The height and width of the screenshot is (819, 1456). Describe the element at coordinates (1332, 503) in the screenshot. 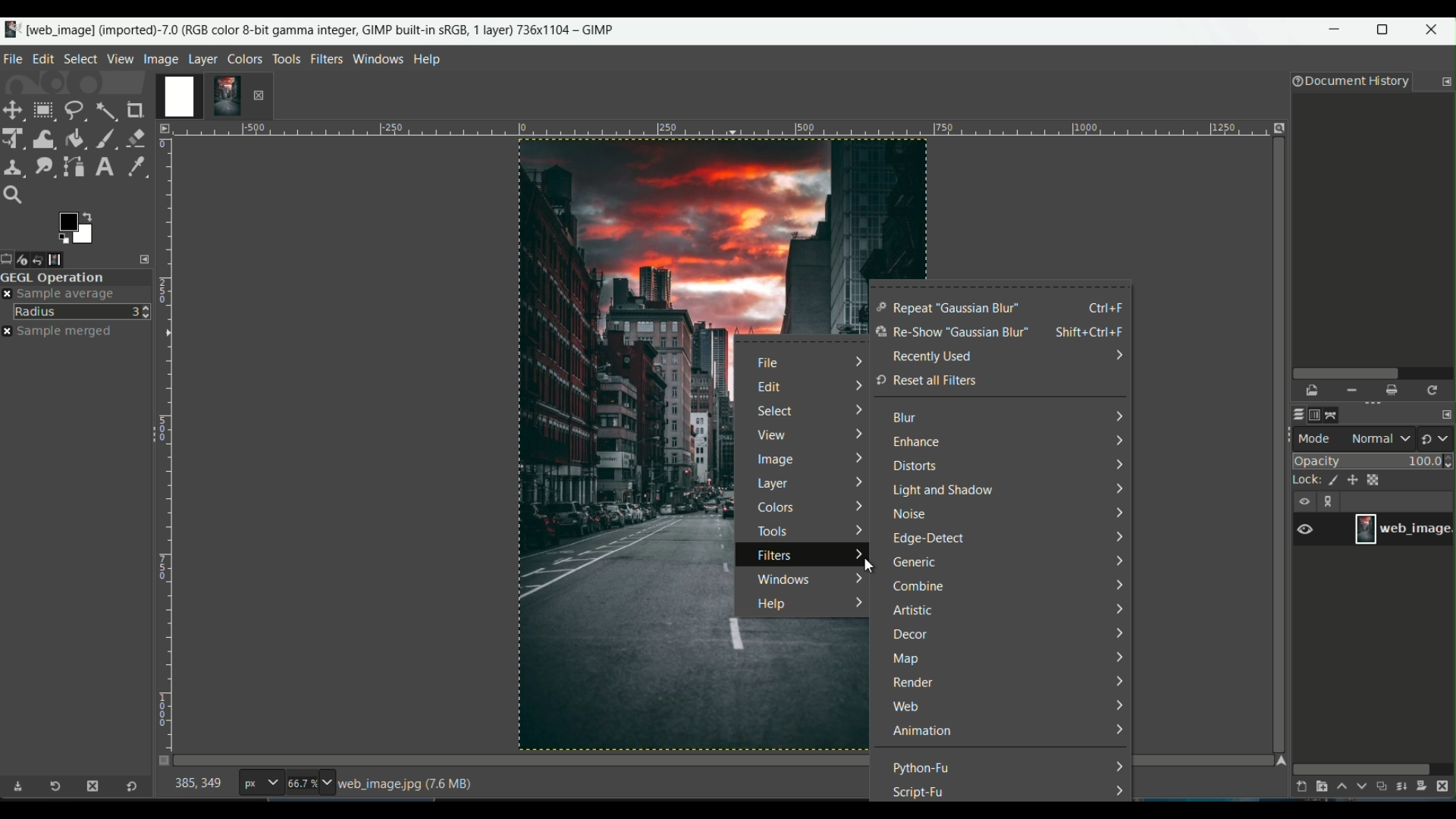

I see `options` at that location.